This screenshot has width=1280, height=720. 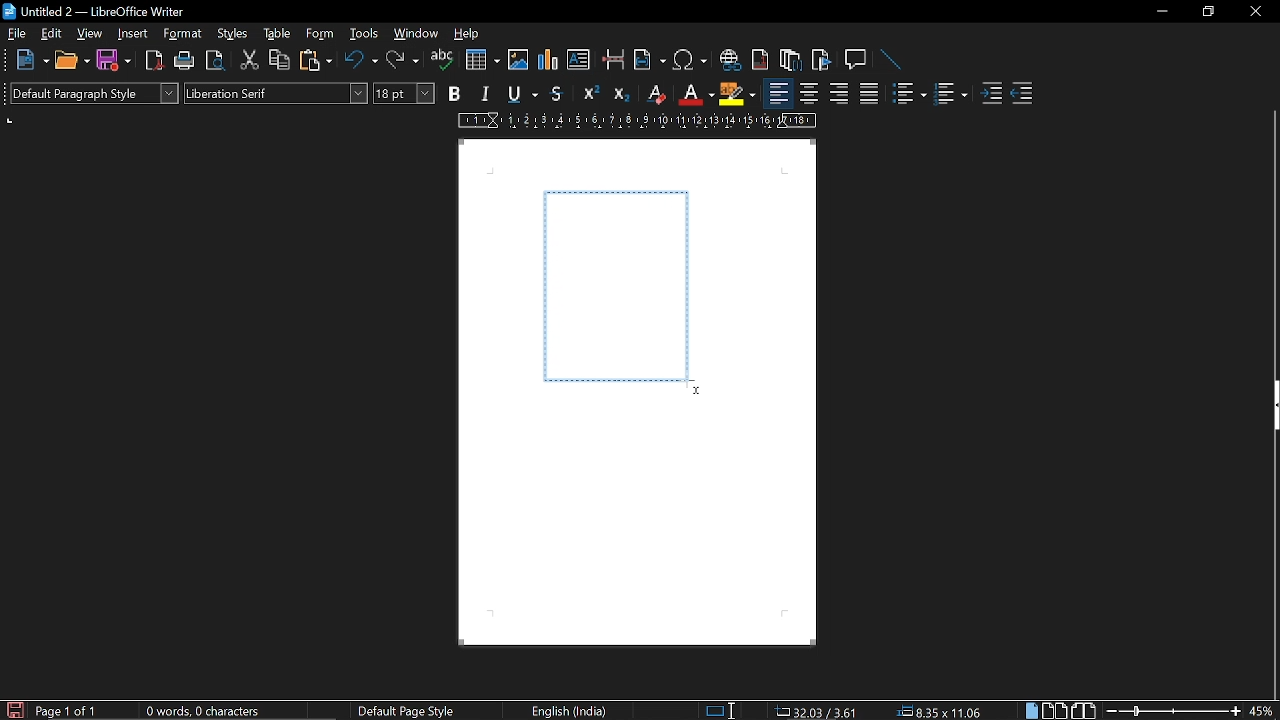 What do you see at coordinates (276, 92) in the screenshot?
I see `text style` at bounding box center [276, 92].